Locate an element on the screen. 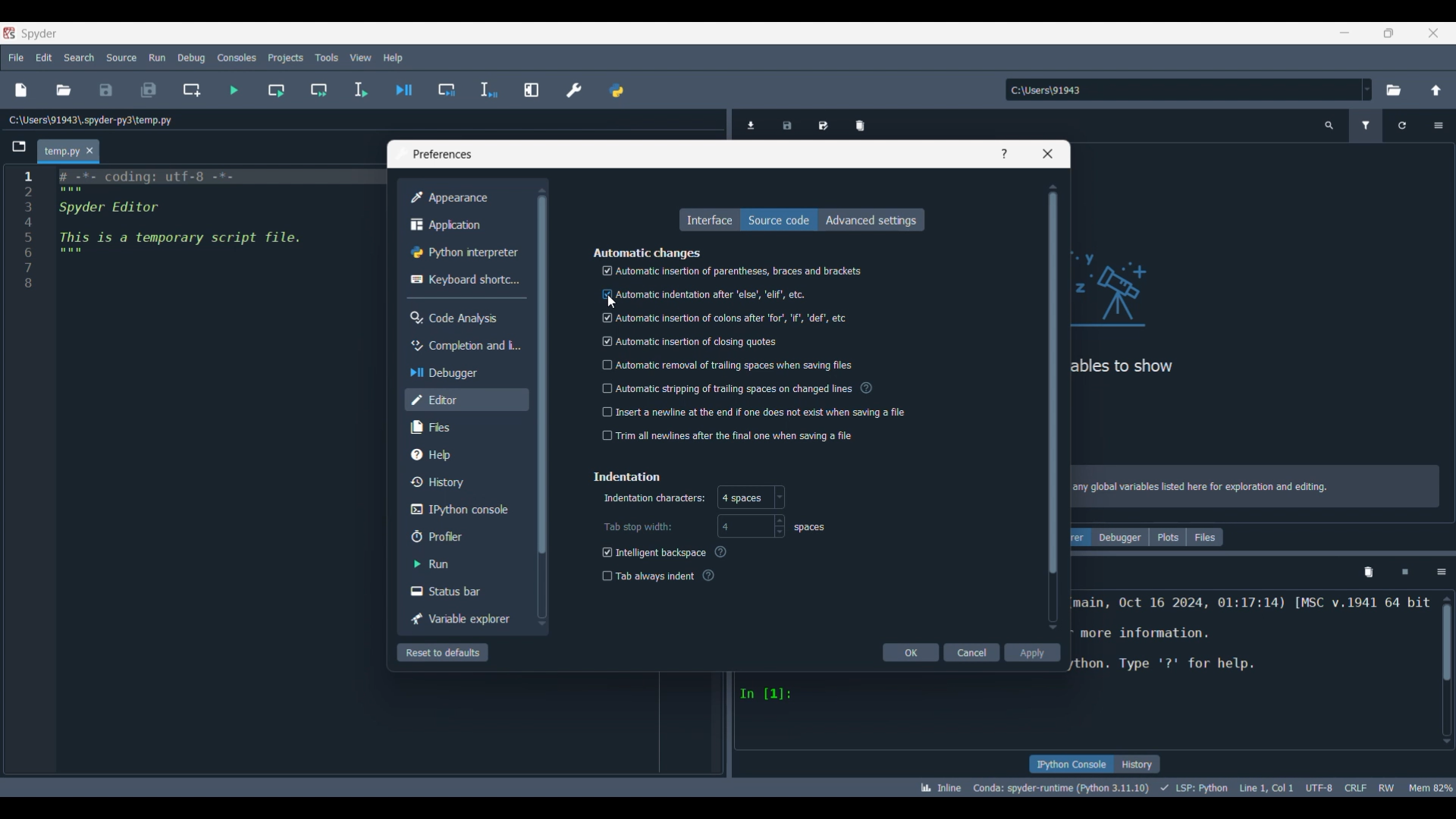 The height and width of the screenshot is (819, 1456). Section title is located at coordinates (649, 251).